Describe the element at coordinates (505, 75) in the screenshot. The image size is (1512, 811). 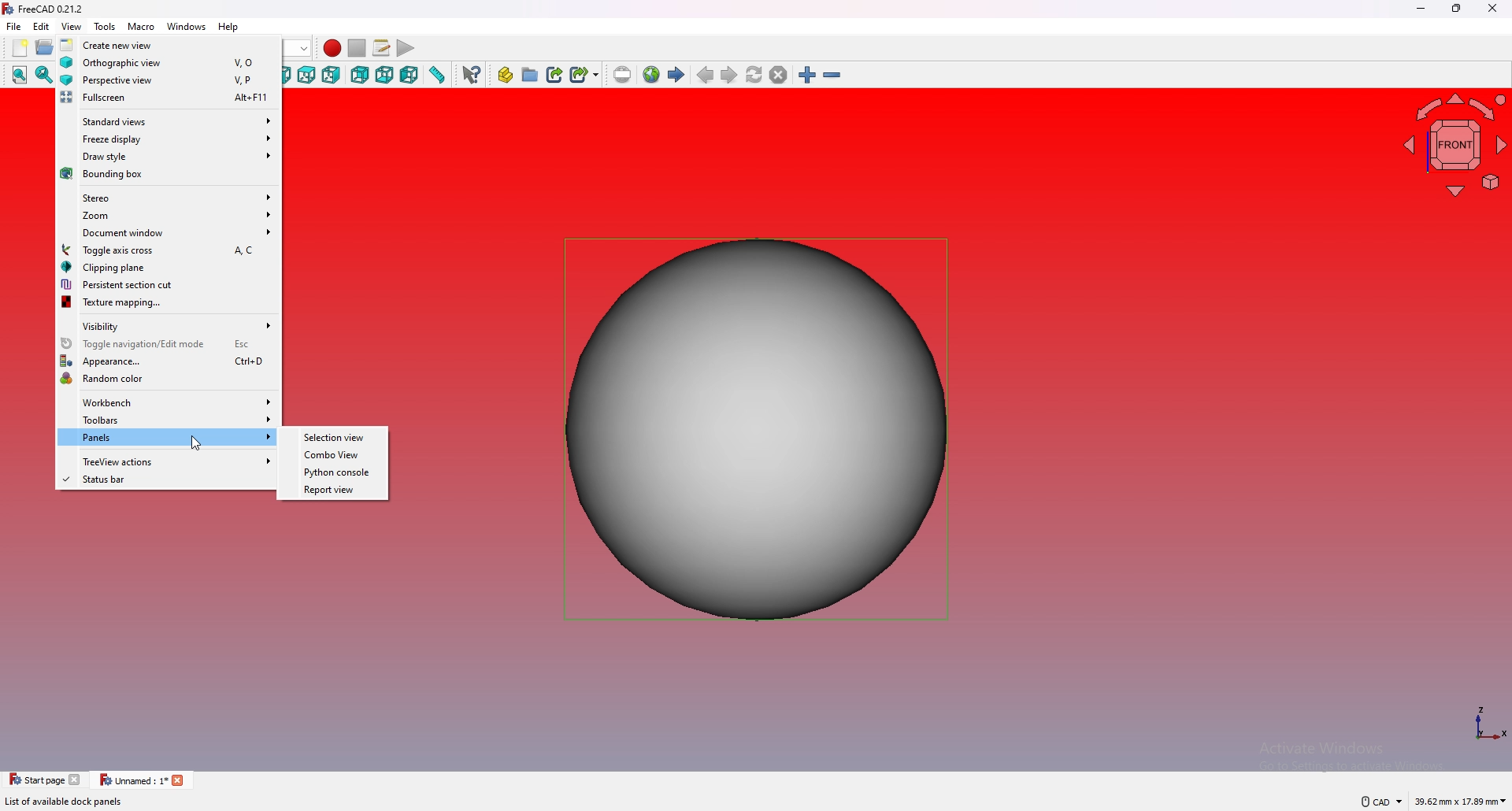
I see `create part` at that location.